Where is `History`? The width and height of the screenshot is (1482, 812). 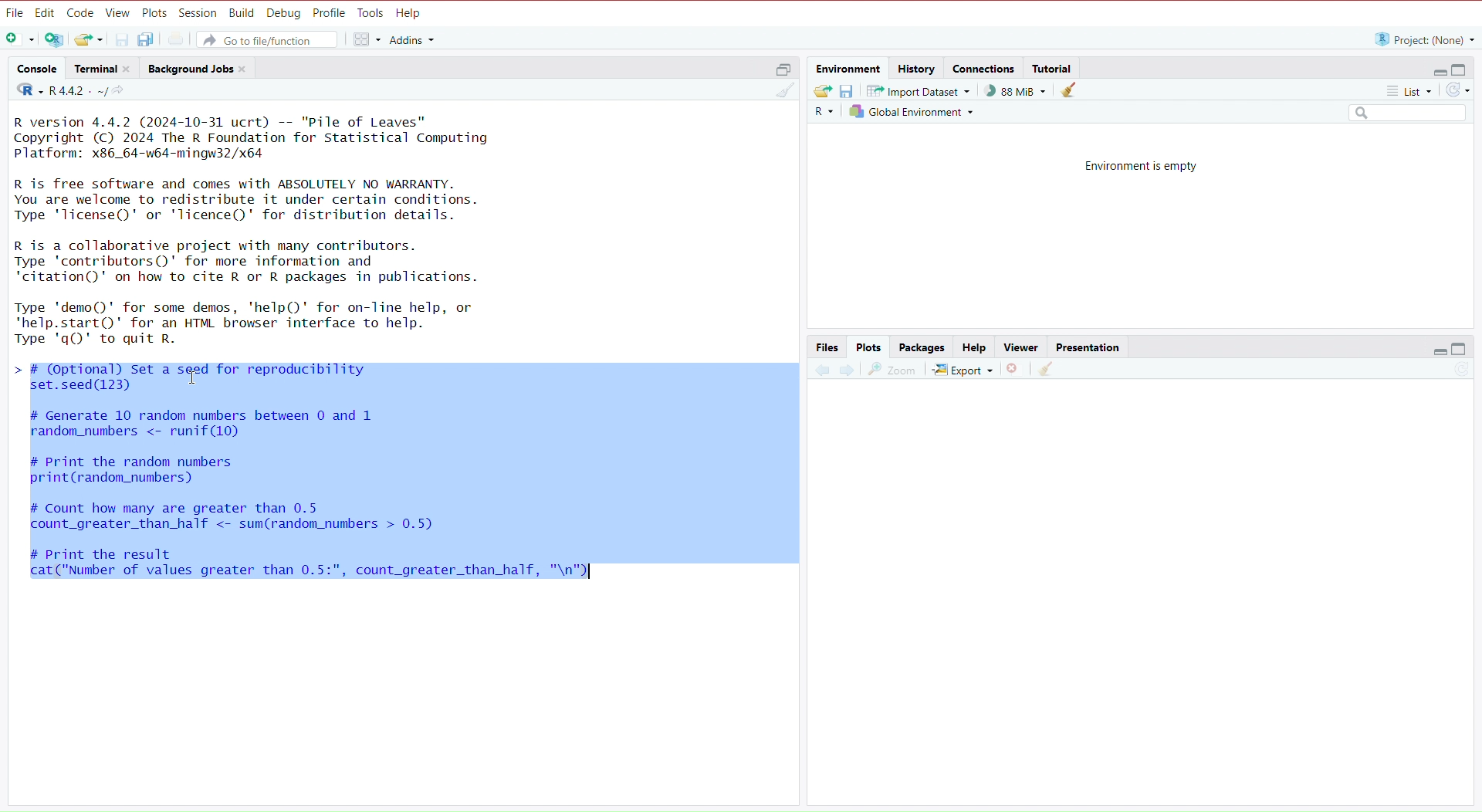 History is located at coordinates (917, 67).